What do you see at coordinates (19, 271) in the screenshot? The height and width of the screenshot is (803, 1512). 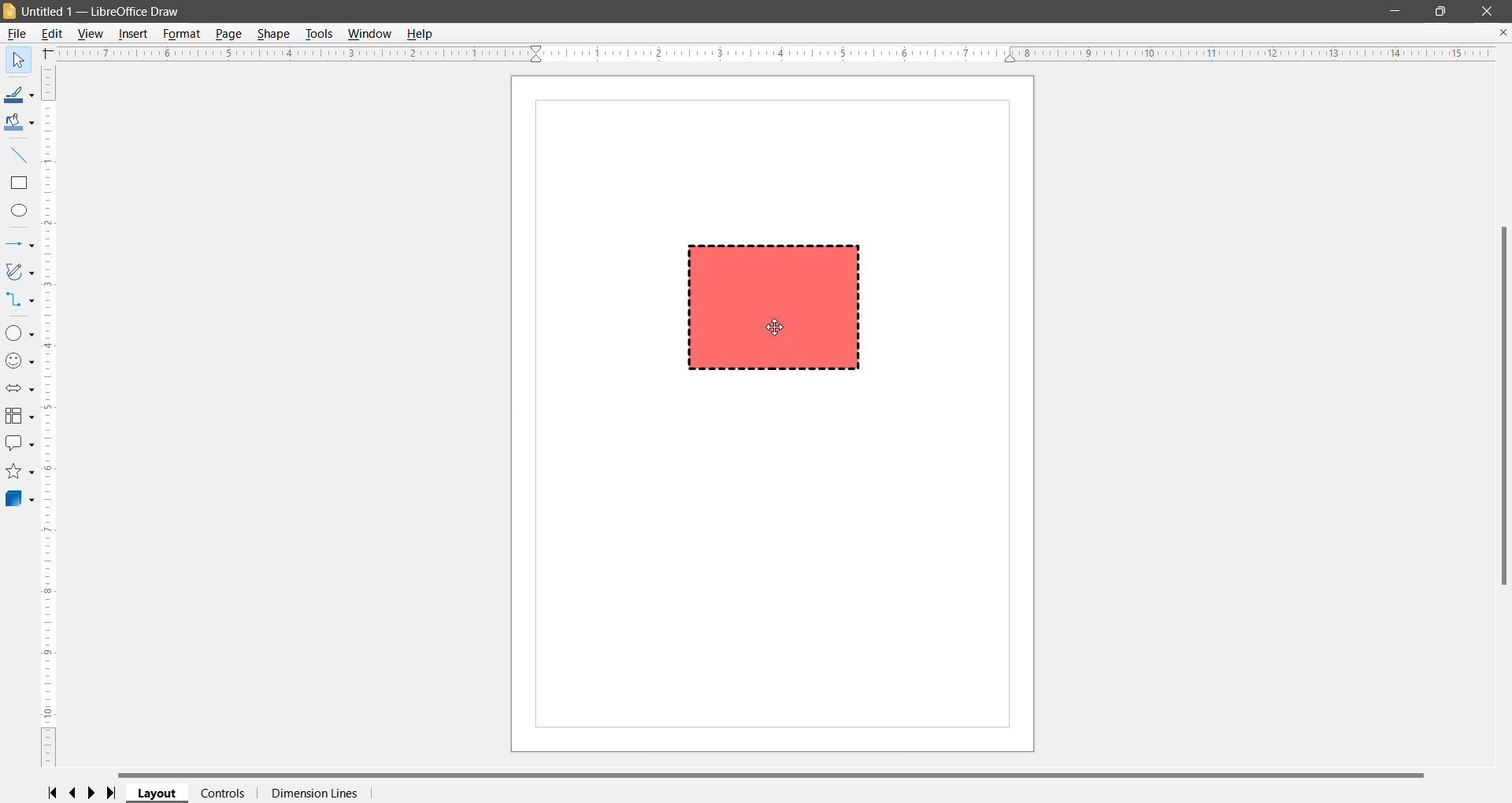 I see `Curves and Polygons` at bounding box center [19, 271].